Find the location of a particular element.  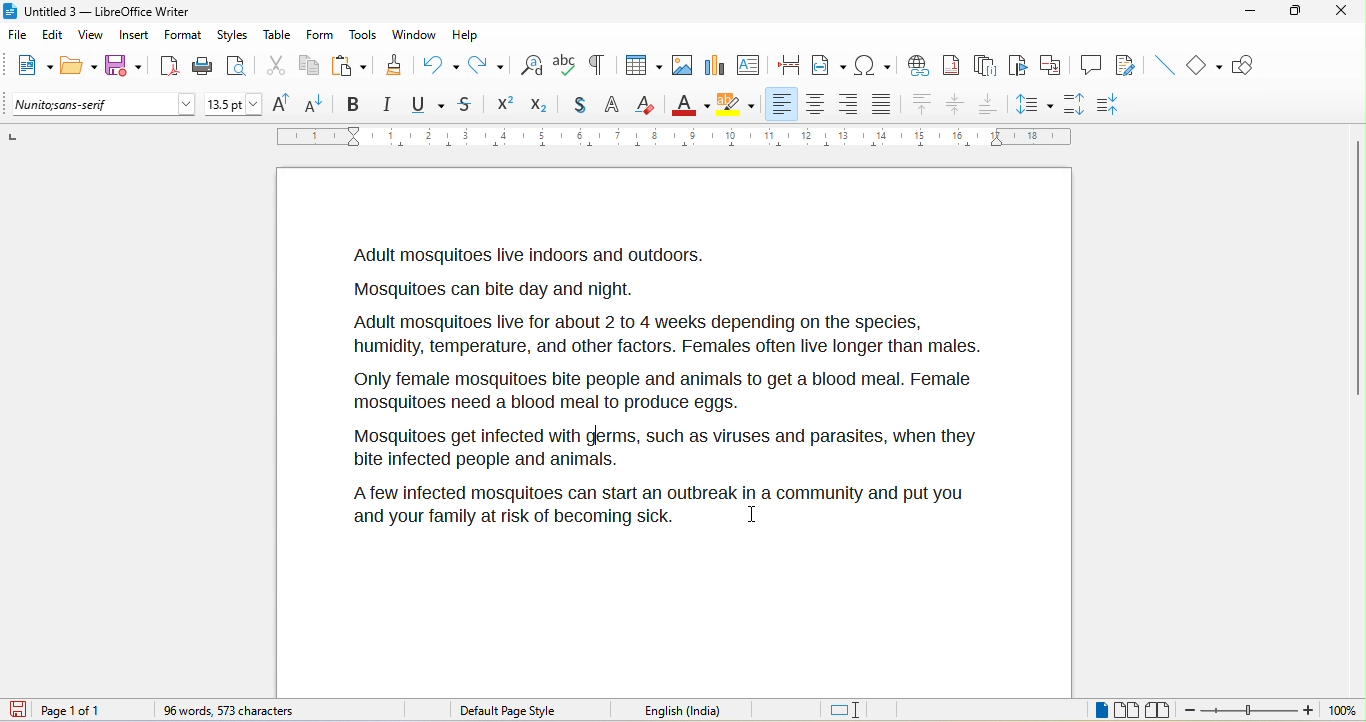

clone formatting is located at coordinates (397, 67).